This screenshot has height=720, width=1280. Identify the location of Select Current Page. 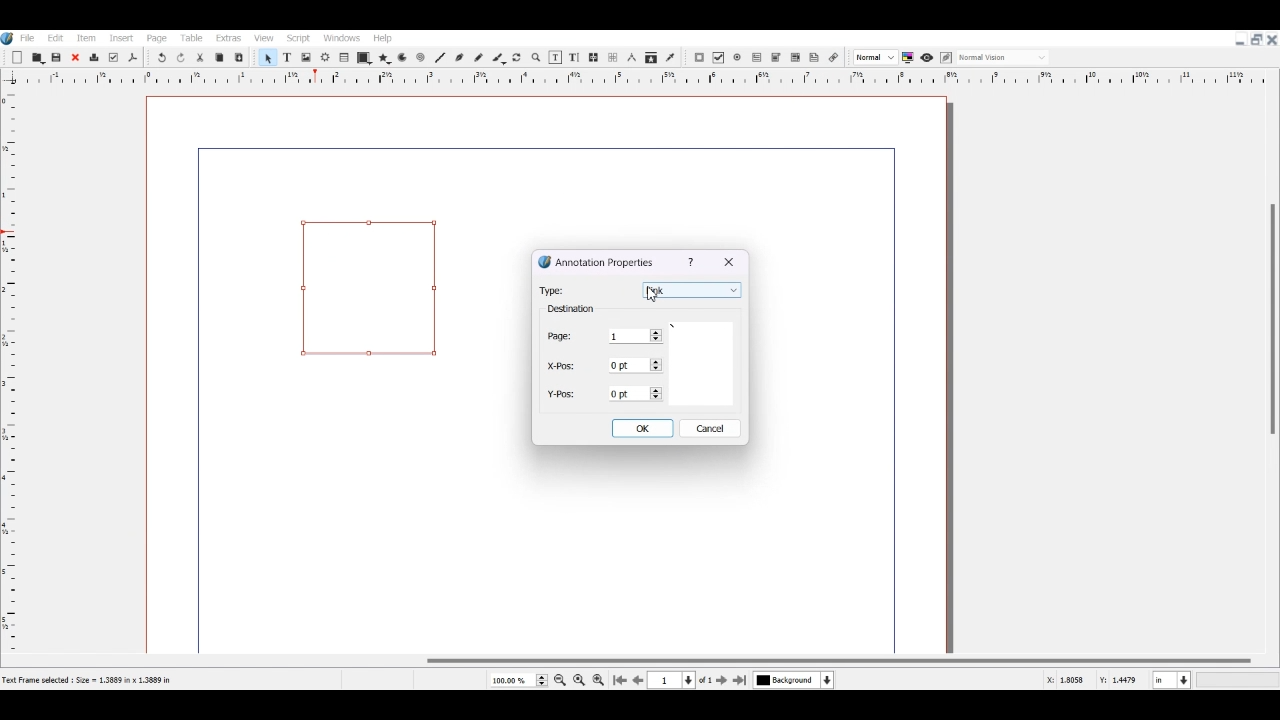
(518, 680).